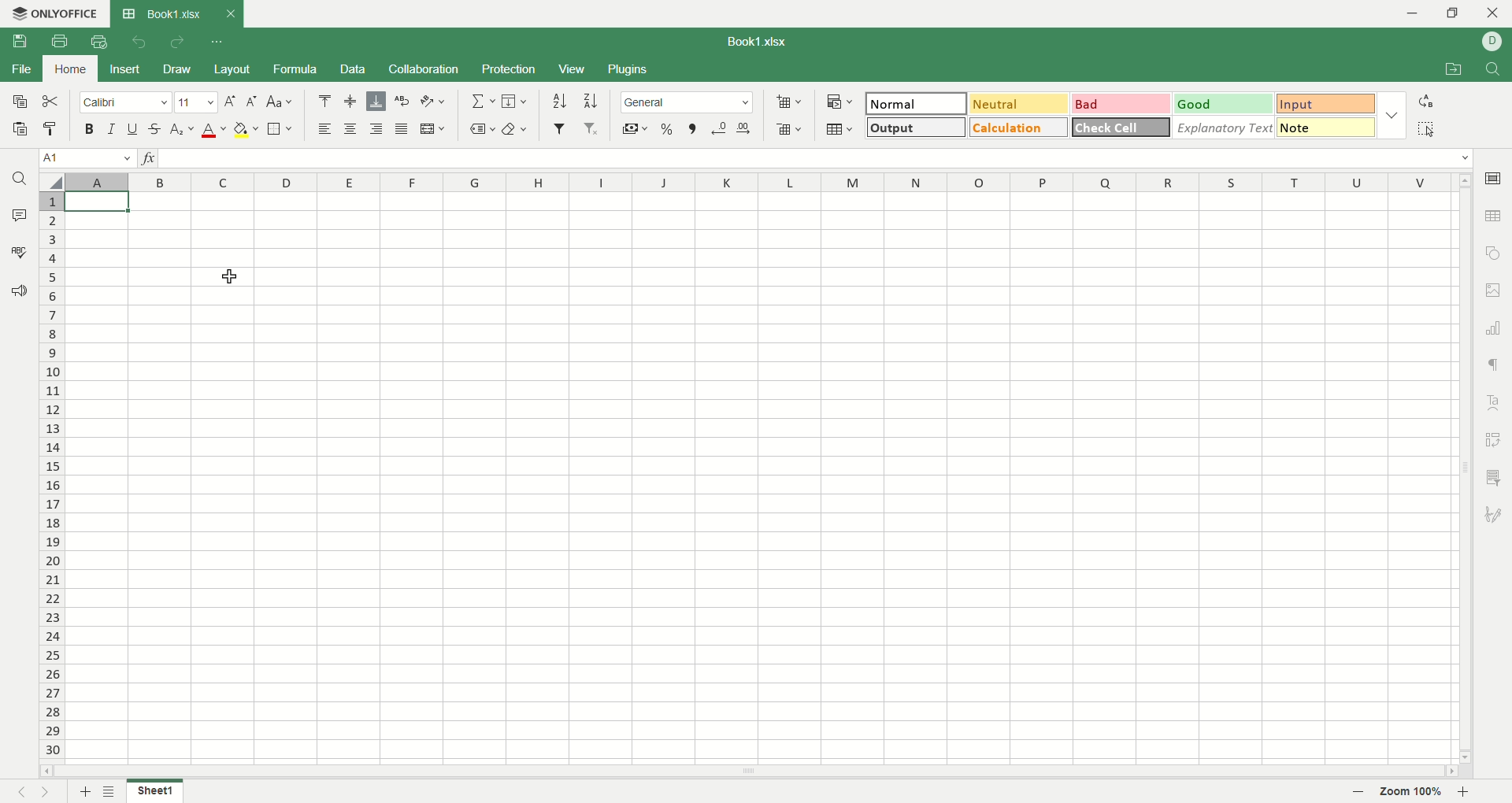 This screenshot has width=1512, height=803. I want to click on sheet, so click(753, 474).